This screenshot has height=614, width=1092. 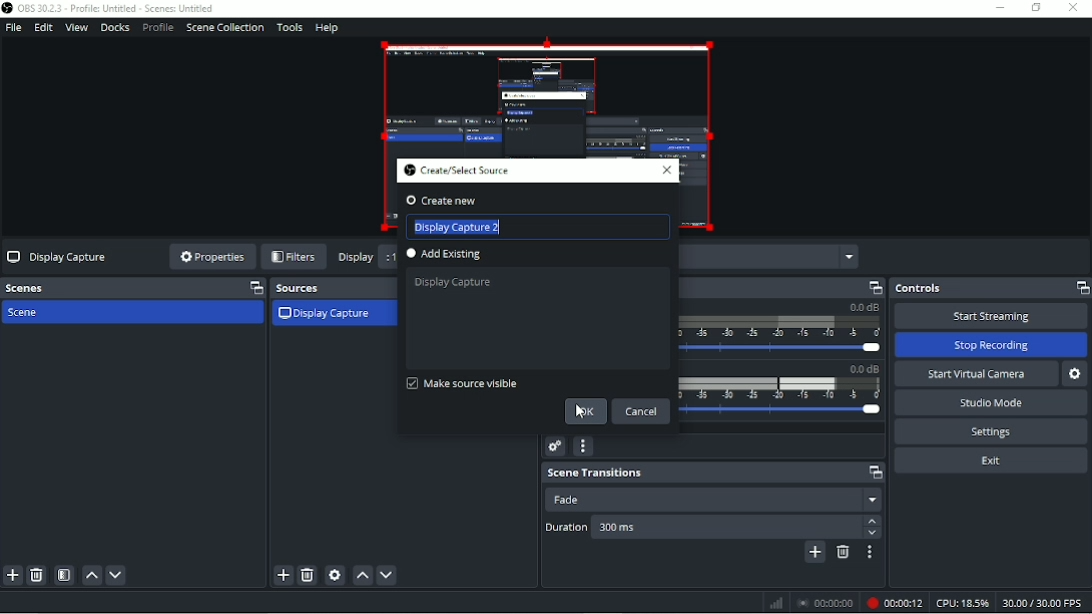 I want to click on Display, so click(x=356, y=256).